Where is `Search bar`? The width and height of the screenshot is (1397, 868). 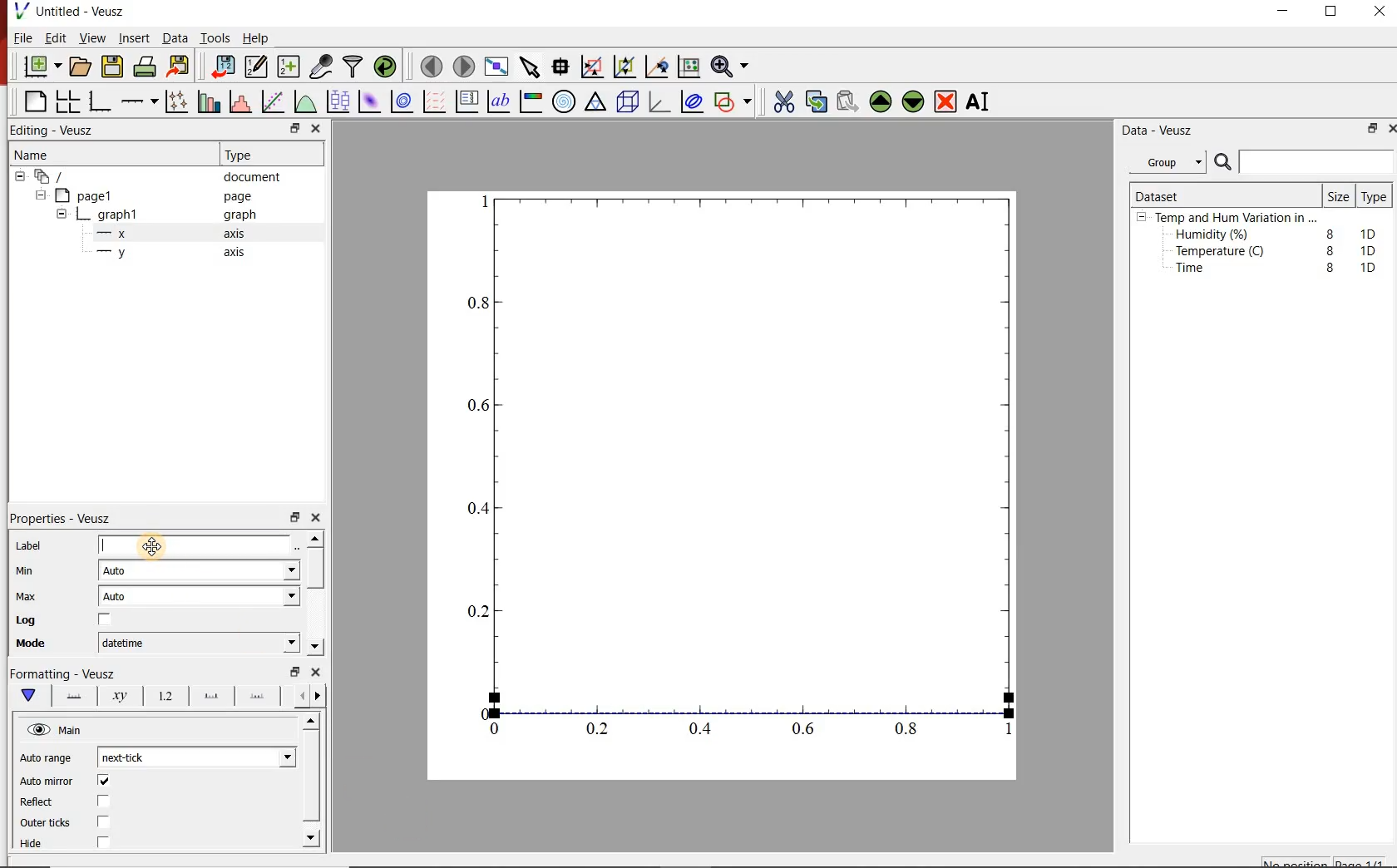 Search bar is located at coordinates (1304, 162).